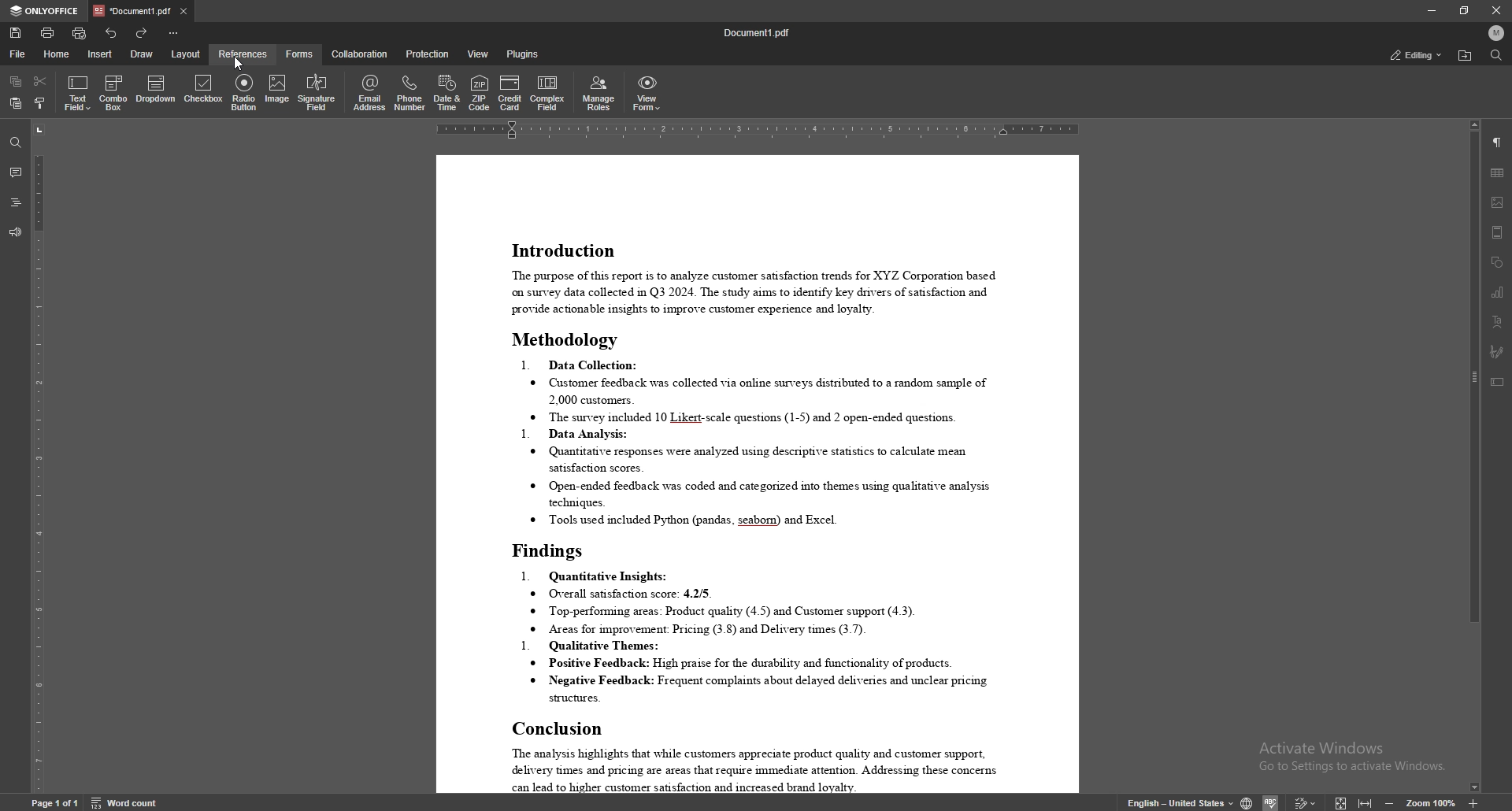 This screenshot has width=1512, height=811. I want to click on undo, so click(113, 33).